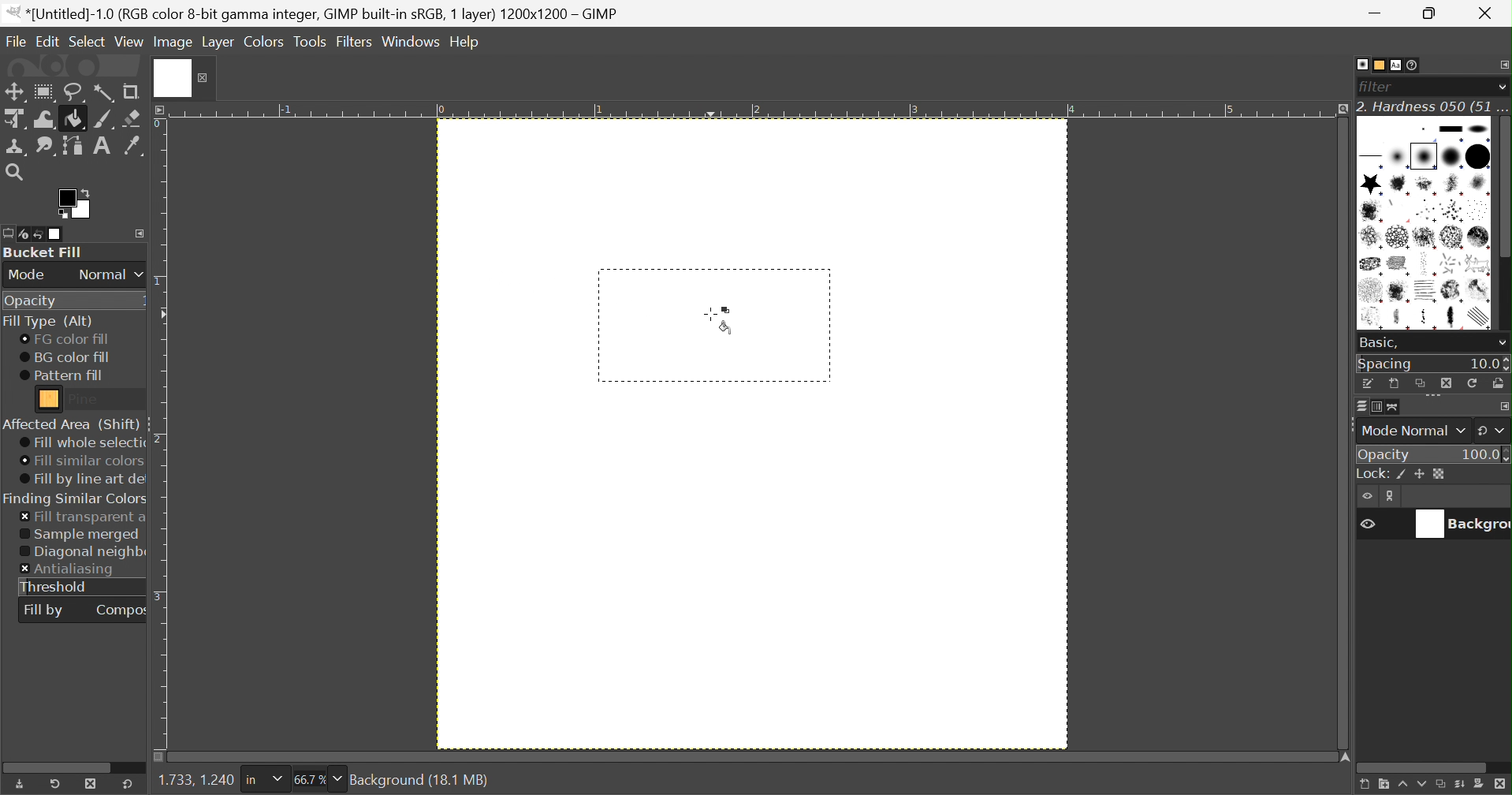 The width and height of the screenshot is (1512, 795). What do you see at coordinates (159, 125) in the screenshot?
I see `0` at bounding box center [159, 125].